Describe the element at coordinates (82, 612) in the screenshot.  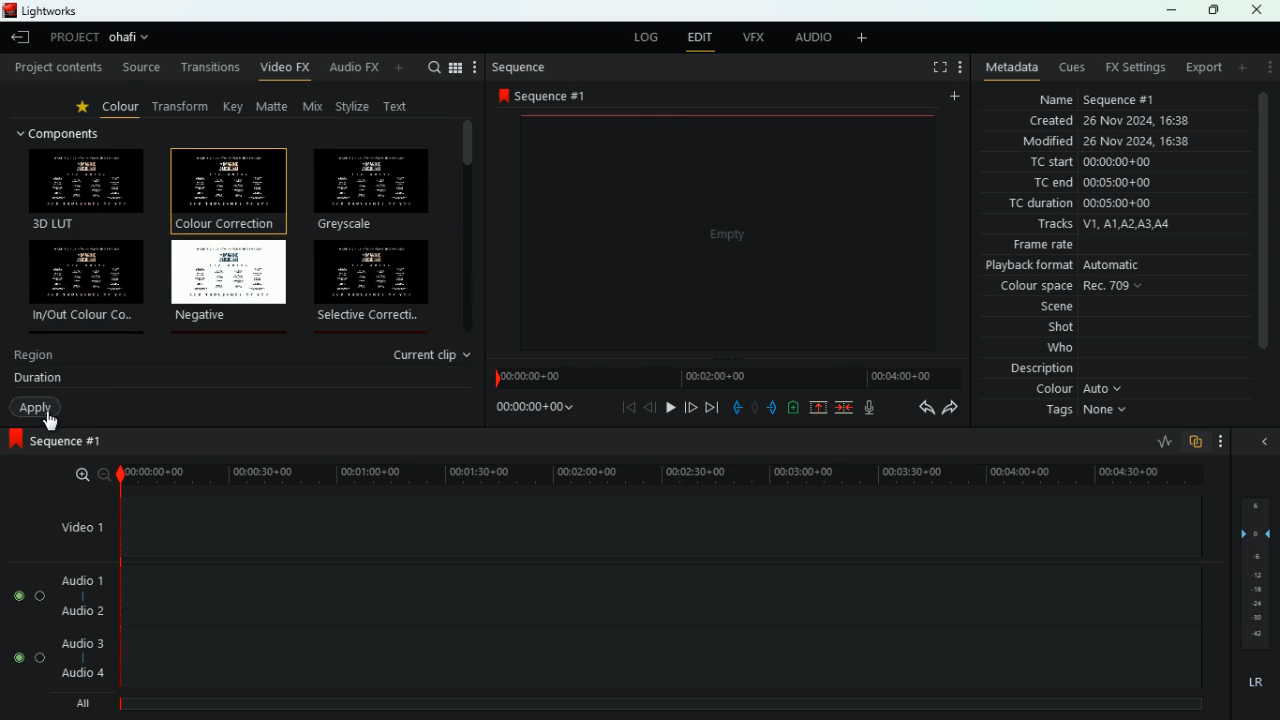
I see `audio 2` at that location.